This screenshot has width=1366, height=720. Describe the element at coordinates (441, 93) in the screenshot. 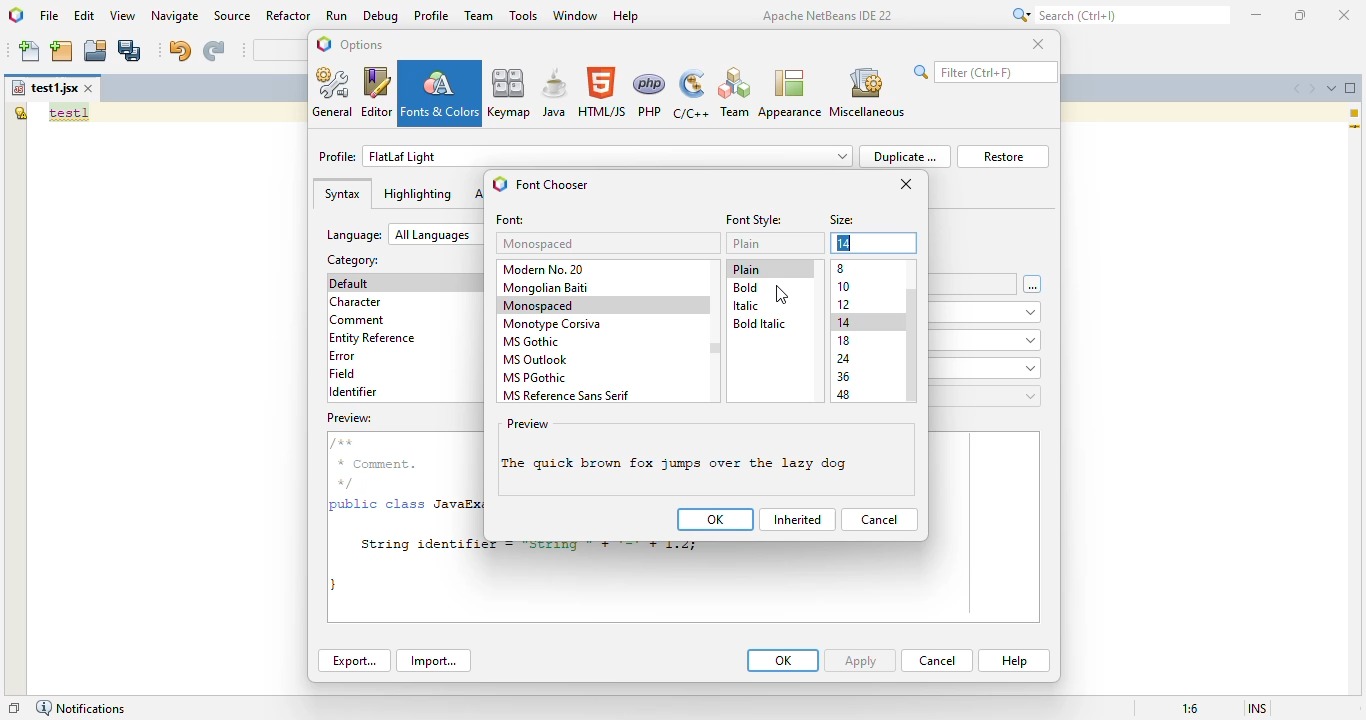

I see `fonts & colors` at that location.